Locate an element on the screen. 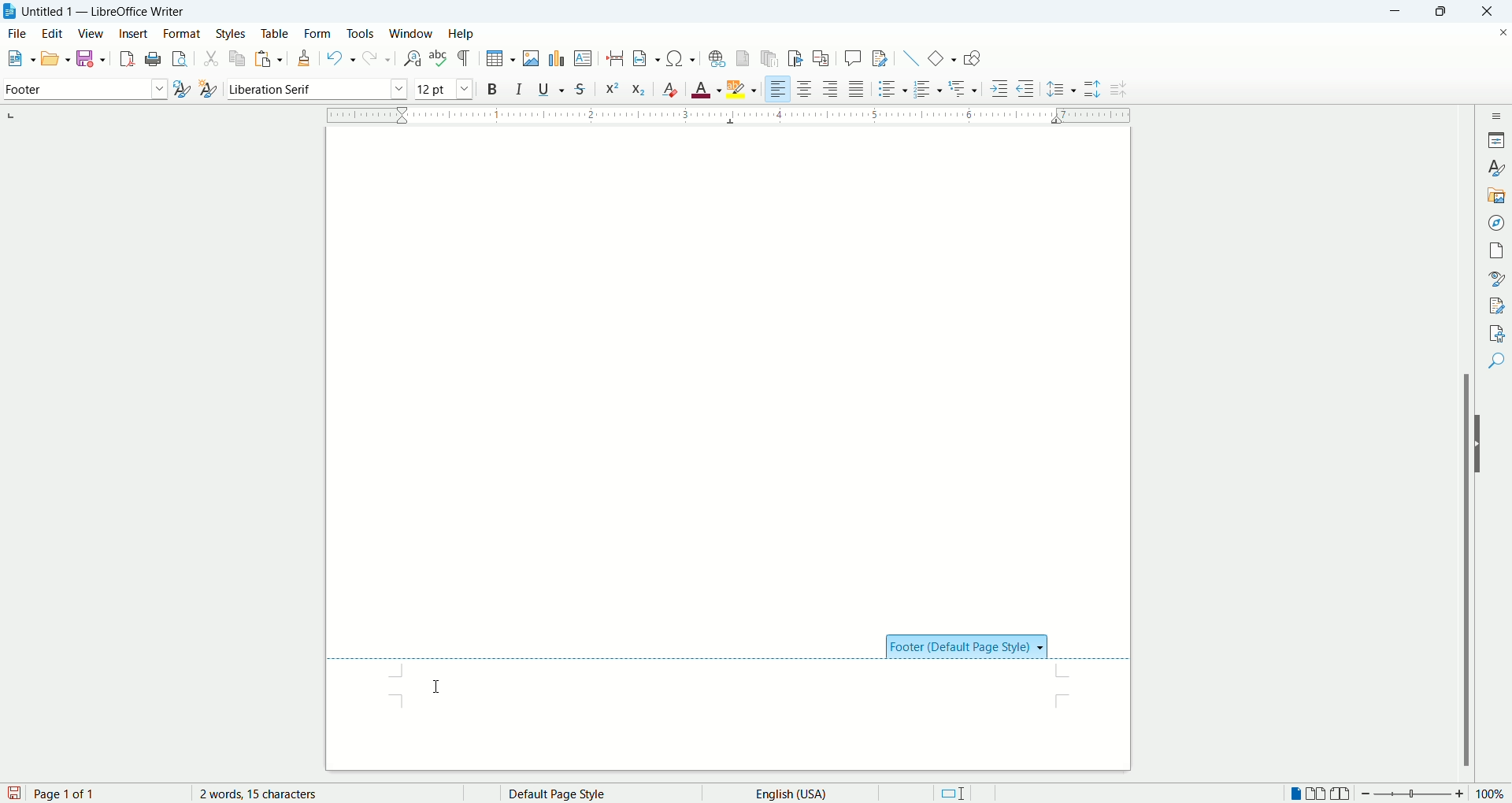  minimize is located at coordinates (1400, 10).